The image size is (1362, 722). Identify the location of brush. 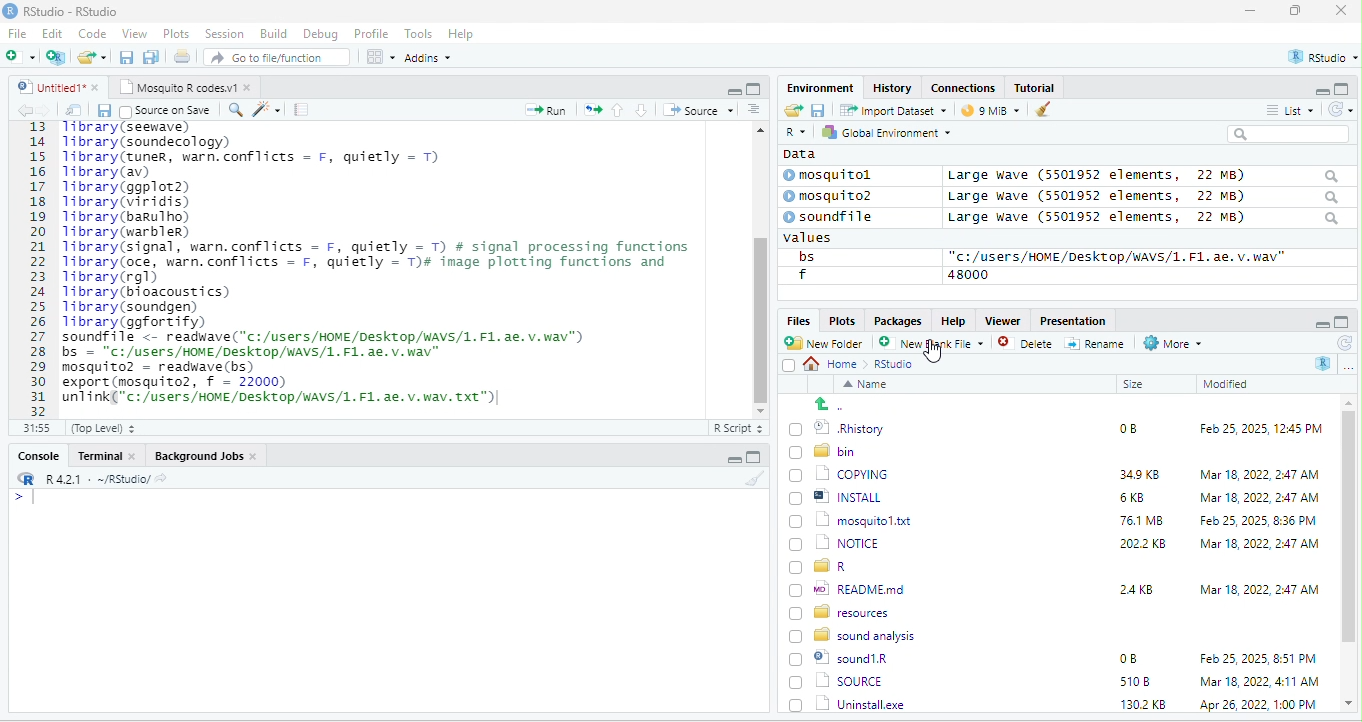
(1044, 111).